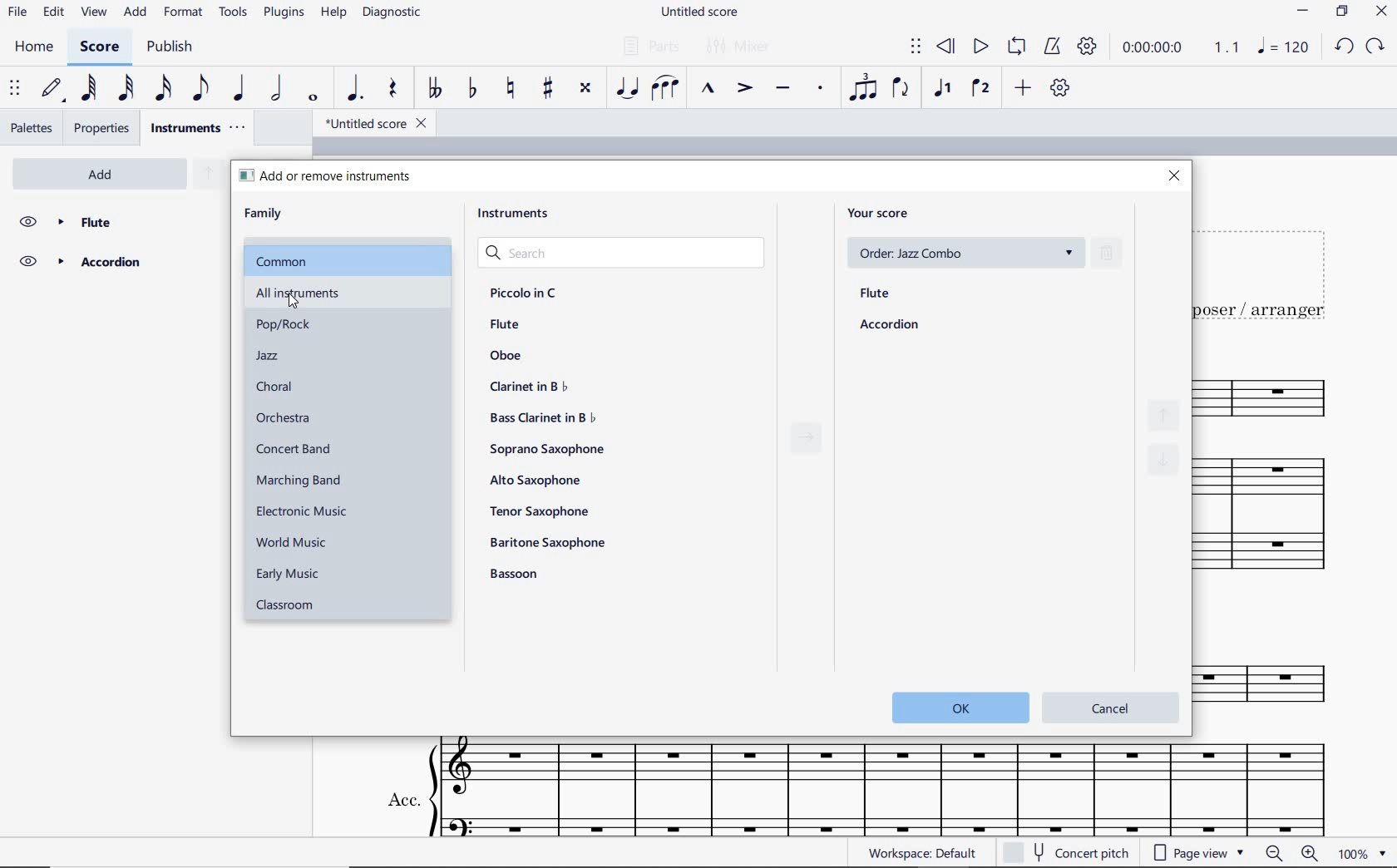 The width and height of the screenshot is (1397, 868). What do you see at coordinates (1062, 88) in the screenshot?
I see `customize toolbar` at bounding box center [1062, 88].